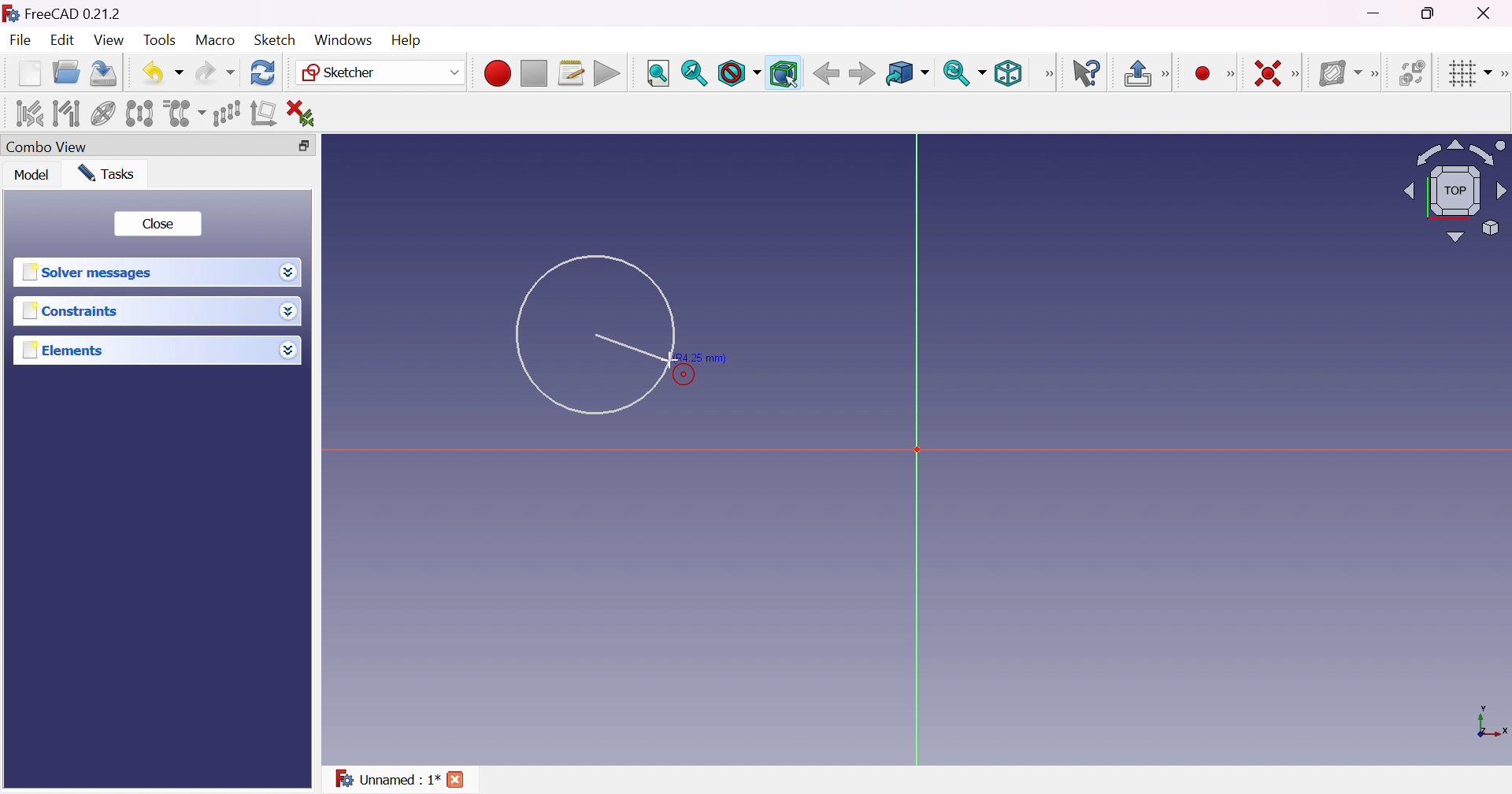 This screenshot has height=794, width=1512. I want to click on Symmetry, so click(139, 114).